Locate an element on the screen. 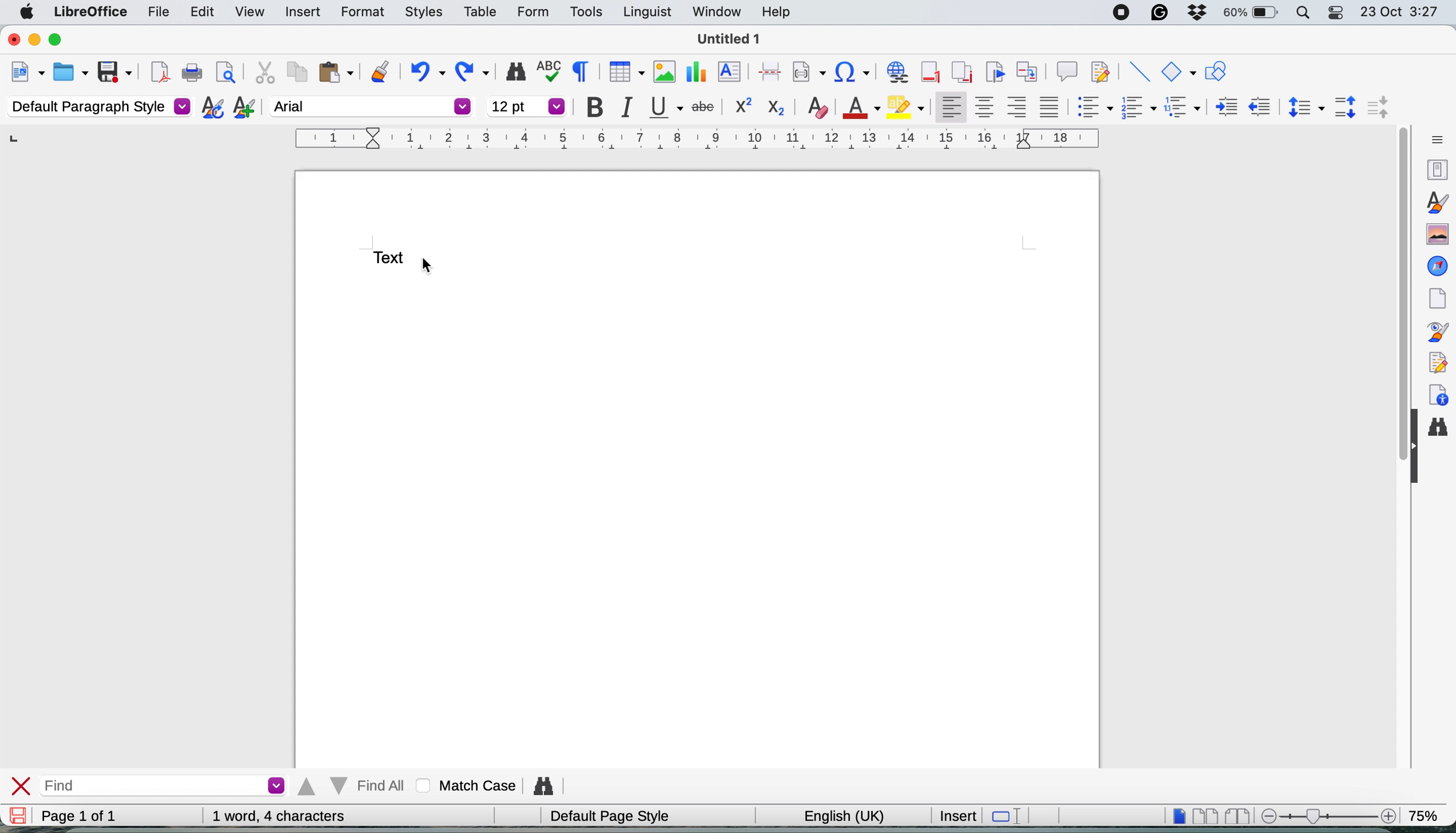 This screenshot has height=833, width=1456. zoom scale is located at coordinates (1326, 815).